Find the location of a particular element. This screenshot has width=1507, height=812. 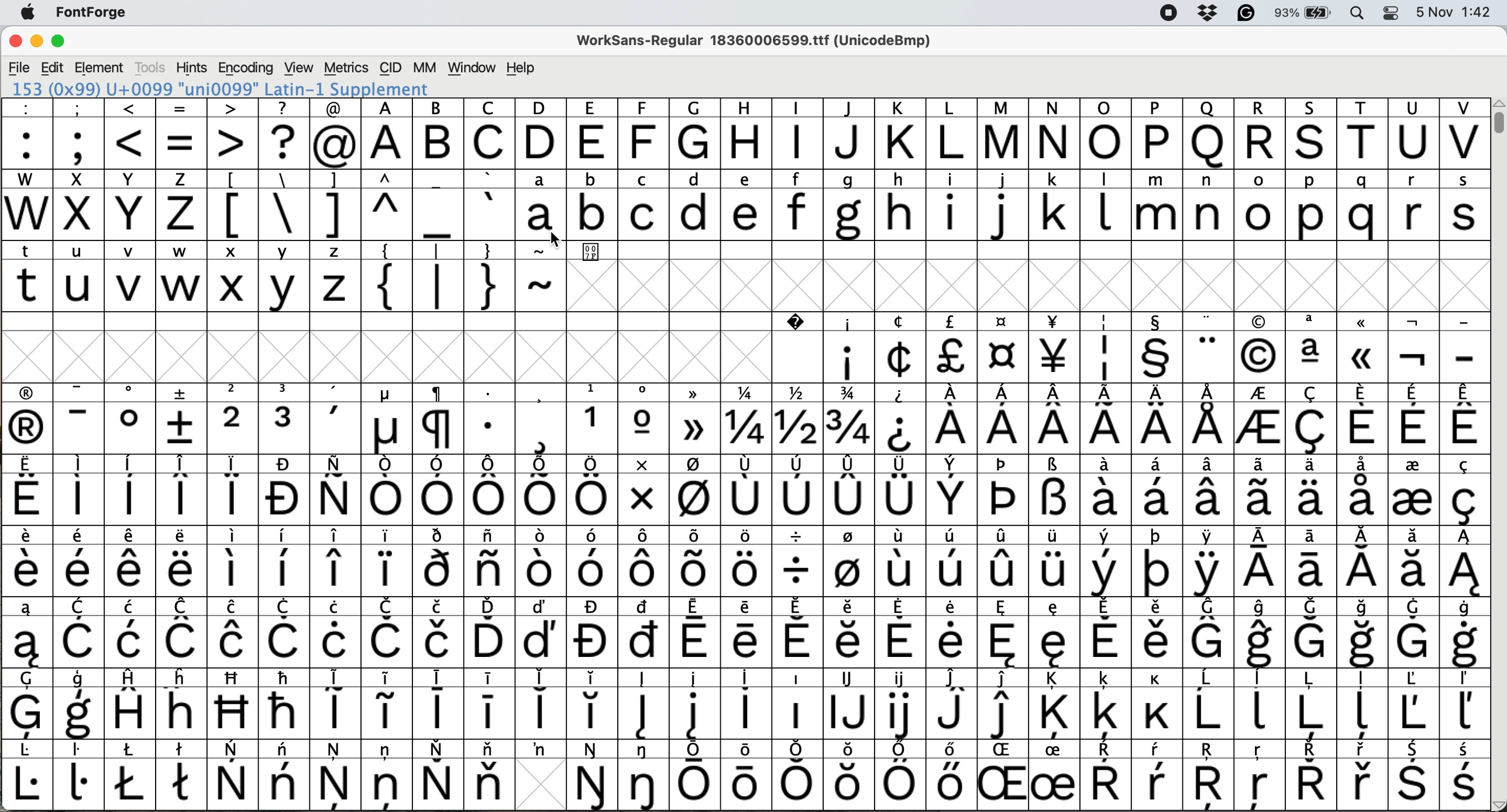

symbol is located at coordinates (797, 562).